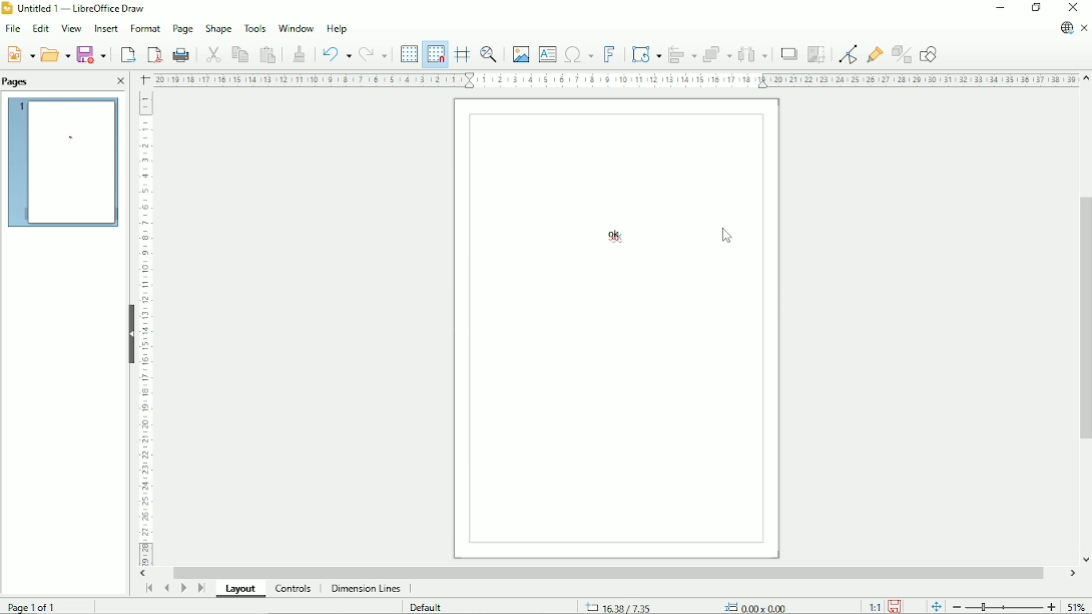 The image size is (1092, 614). Describe the element at coordinates (145, 29) in the screenshot. I see `Format` at that location.